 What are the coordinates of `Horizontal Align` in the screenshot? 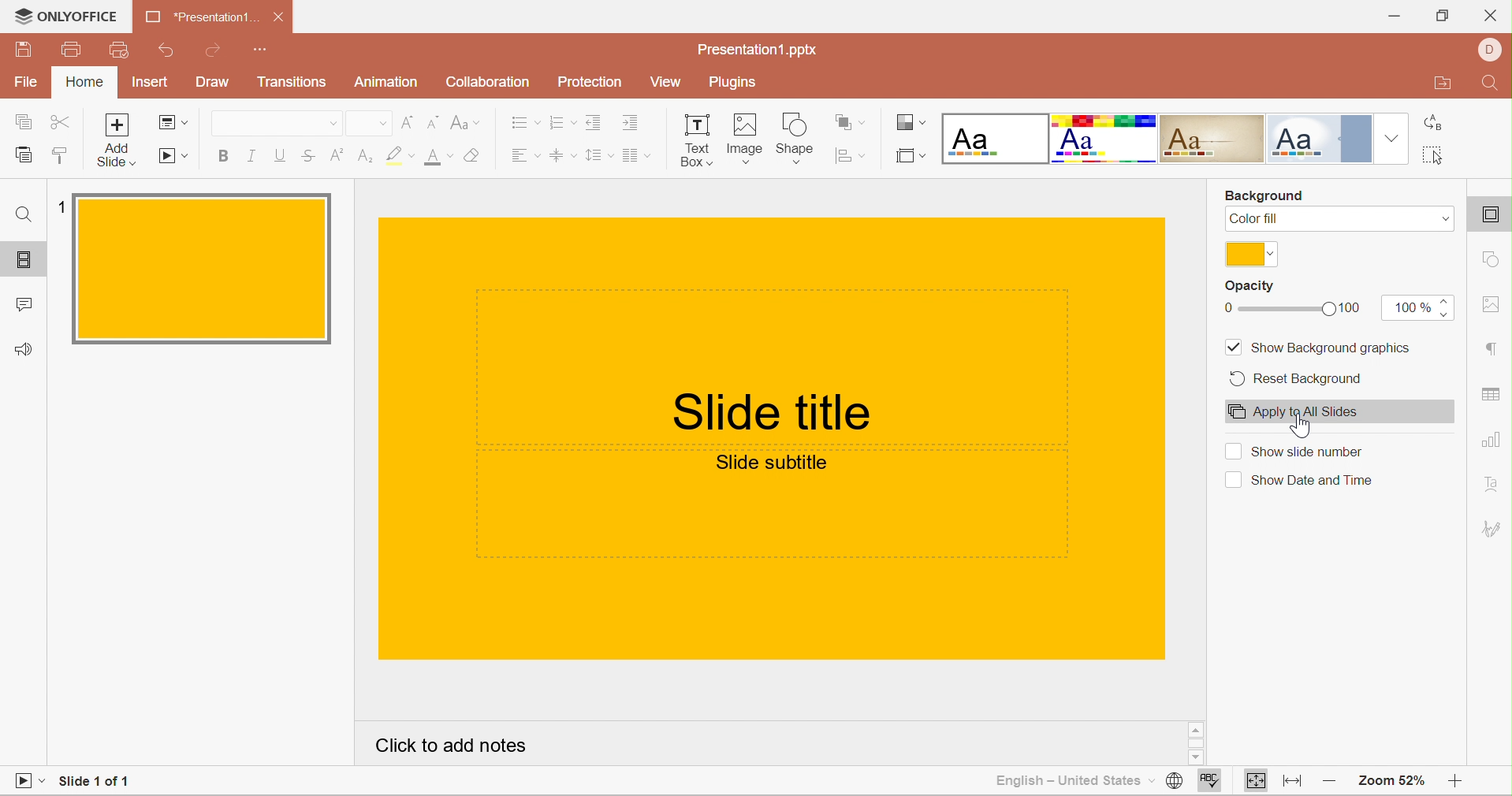 It's located at (525, 157).